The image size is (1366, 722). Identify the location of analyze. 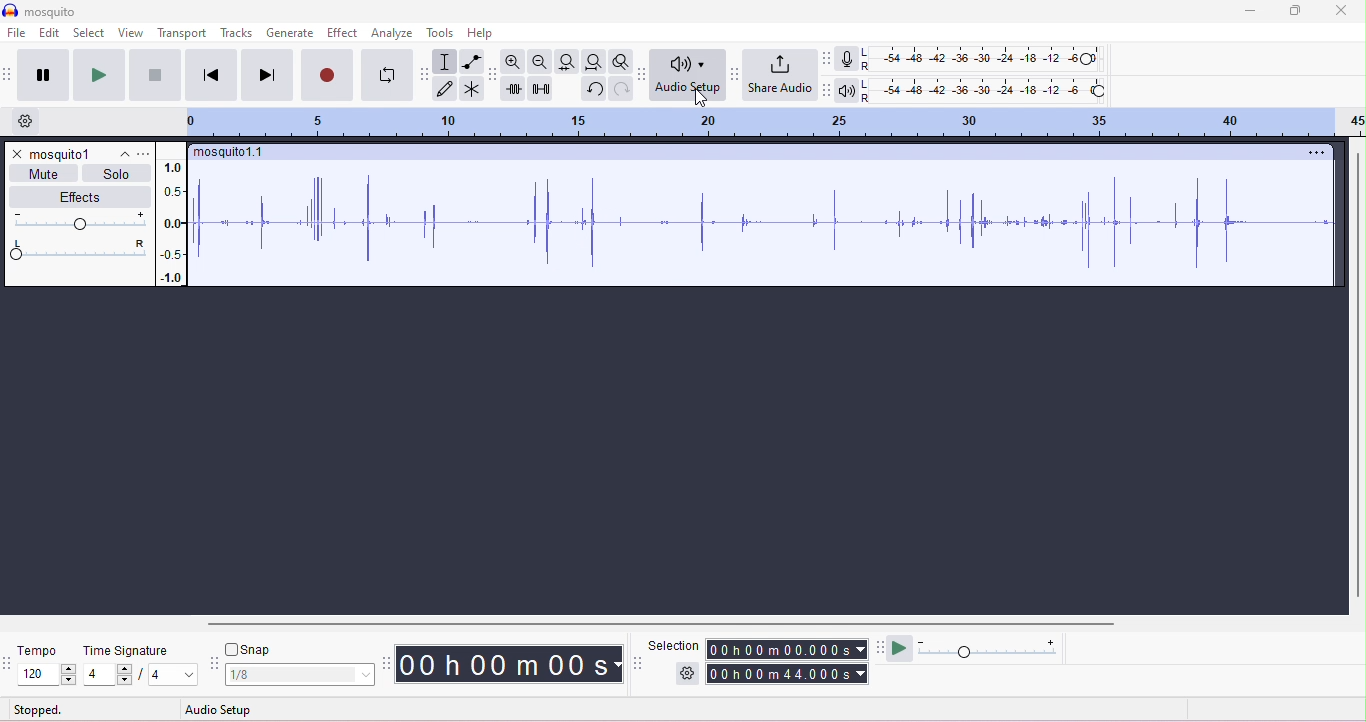
(394, 34).